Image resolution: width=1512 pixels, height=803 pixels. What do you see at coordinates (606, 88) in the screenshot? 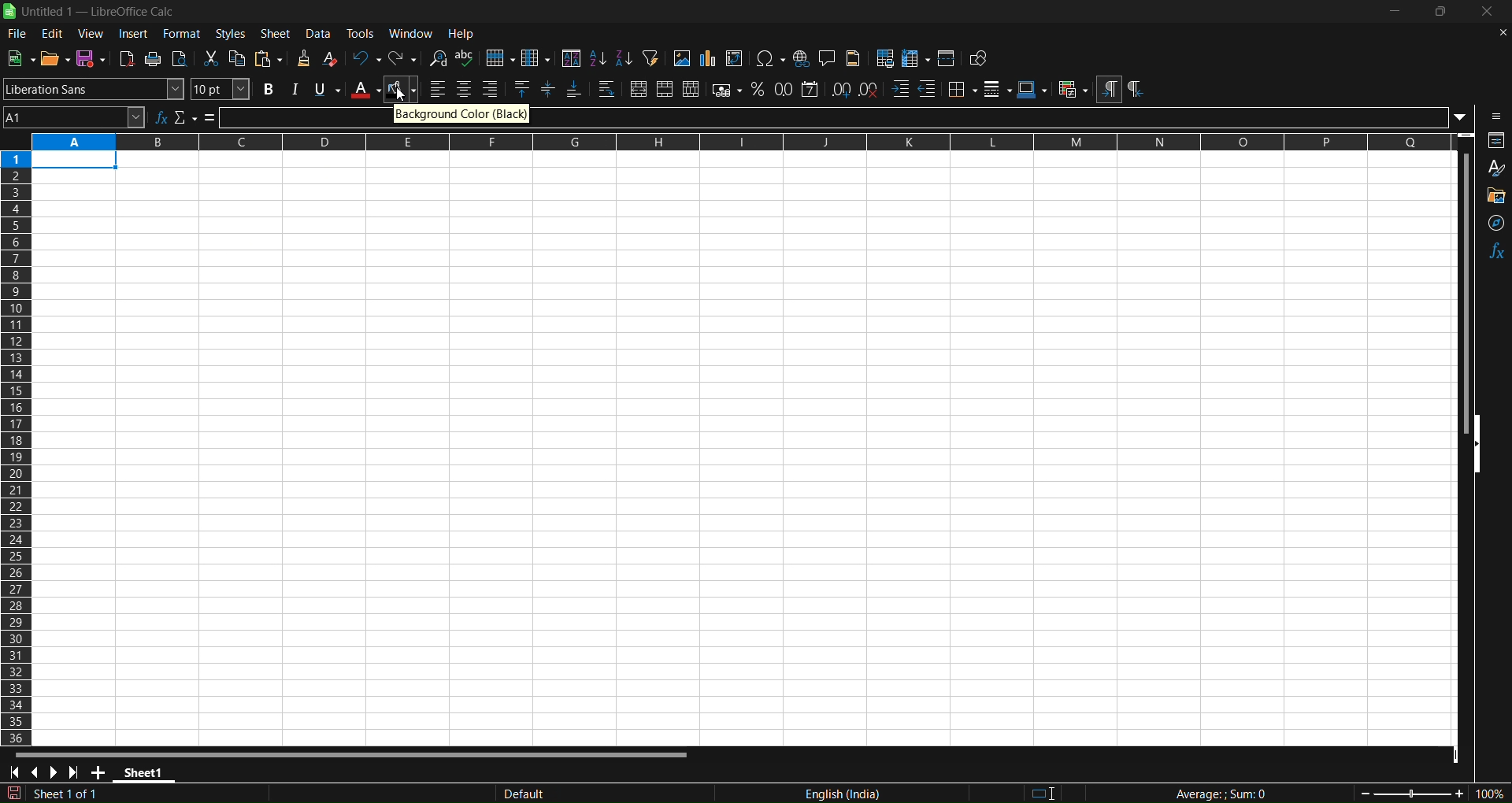
I see `wrap text` at bounding box center [606, 88].